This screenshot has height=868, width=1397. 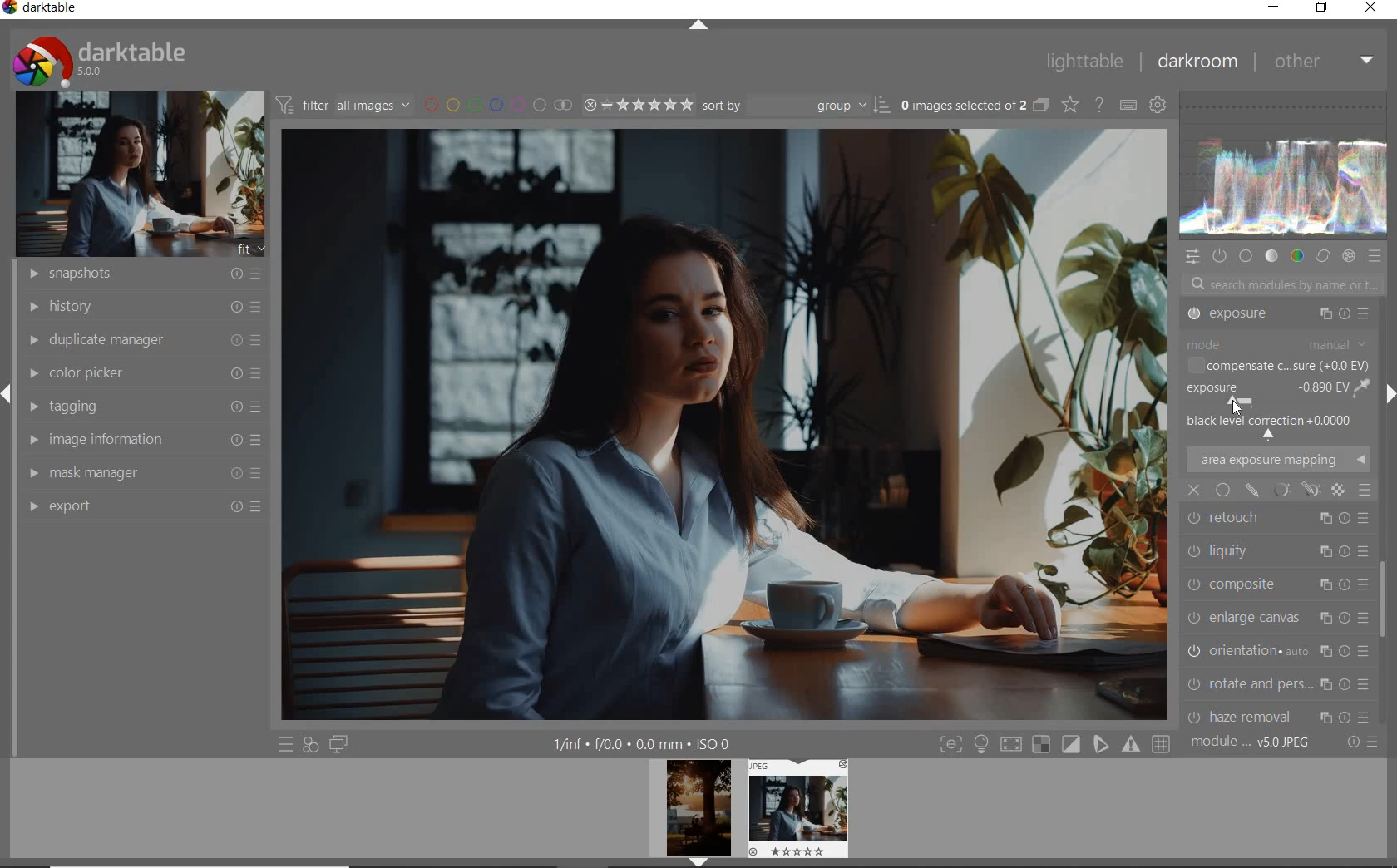 I want to click on RESET OR PRESET & PREFERANCE, so click(x=1360, y=745).